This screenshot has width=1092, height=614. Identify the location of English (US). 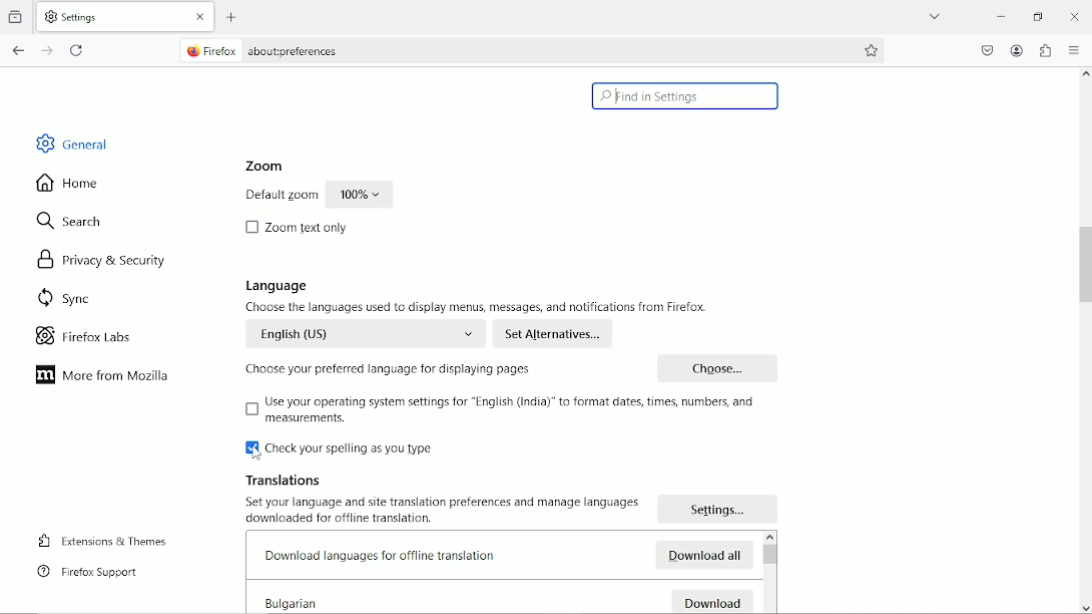
(363, 335).